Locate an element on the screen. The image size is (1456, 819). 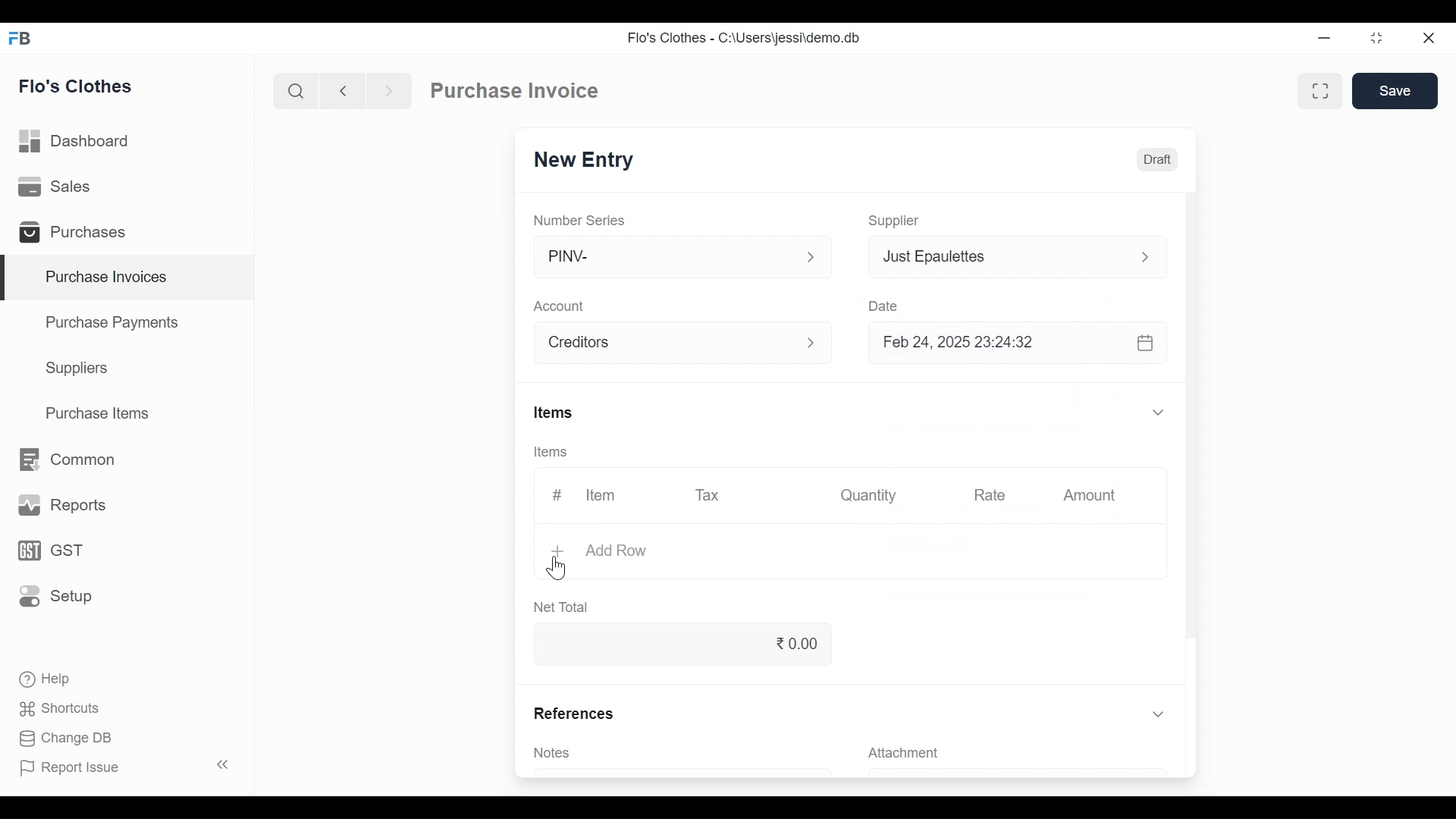
Items is located at coordinates (549, 452).